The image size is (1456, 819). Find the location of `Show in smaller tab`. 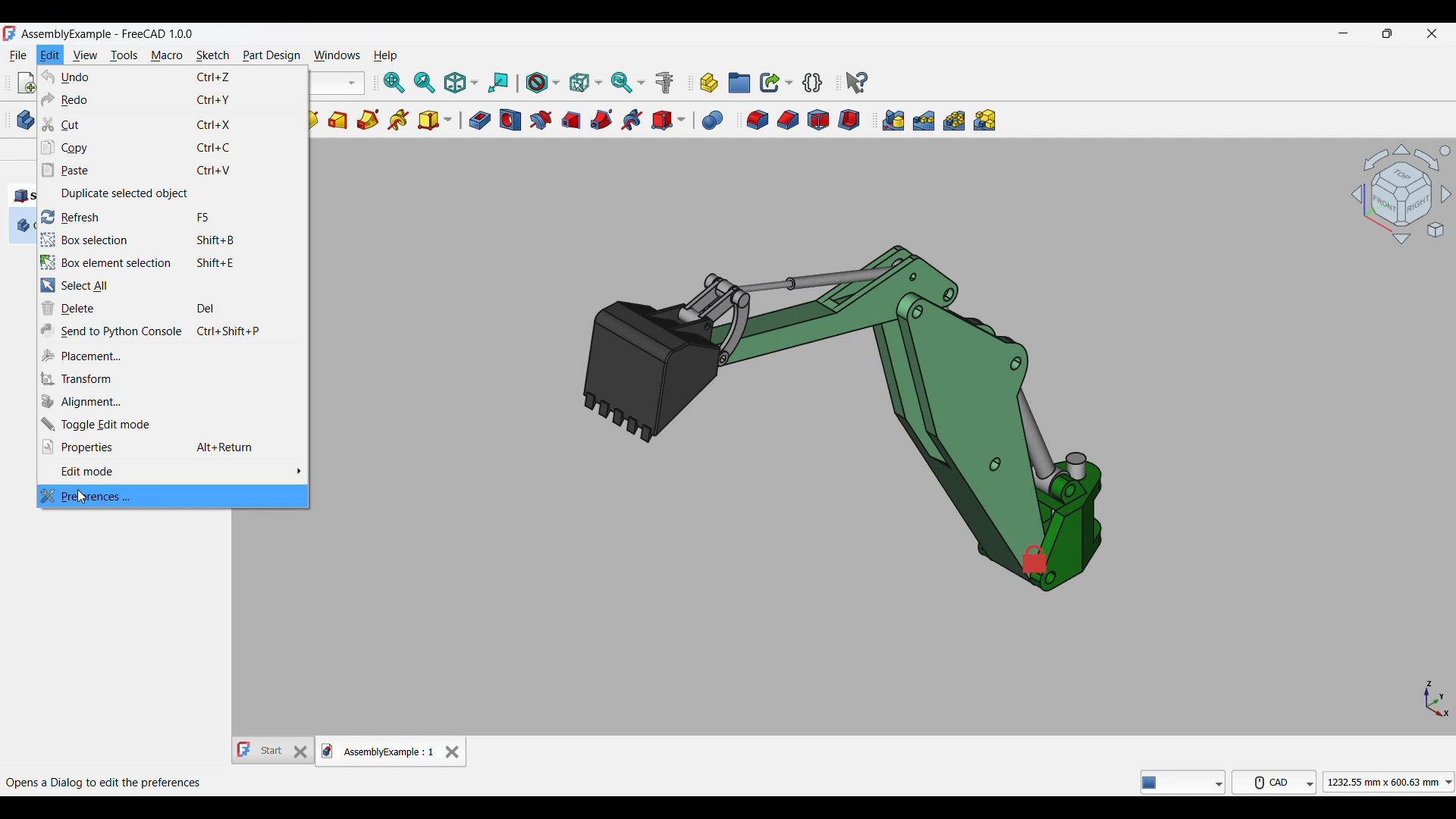

Show in smaller tab is located at coordinates (1387, 33).